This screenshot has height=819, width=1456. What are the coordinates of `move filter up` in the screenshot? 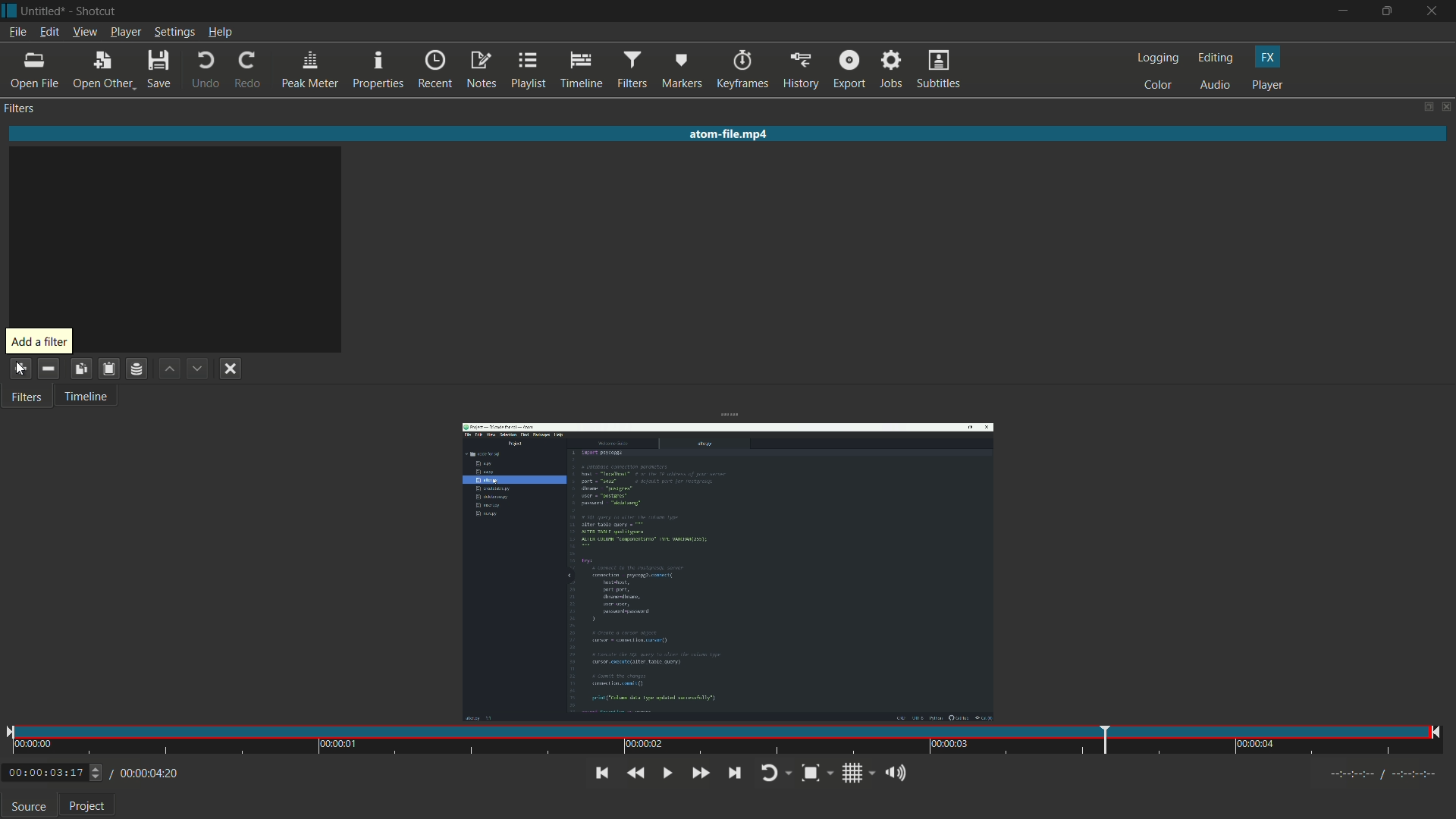 It's located at (170, 369).